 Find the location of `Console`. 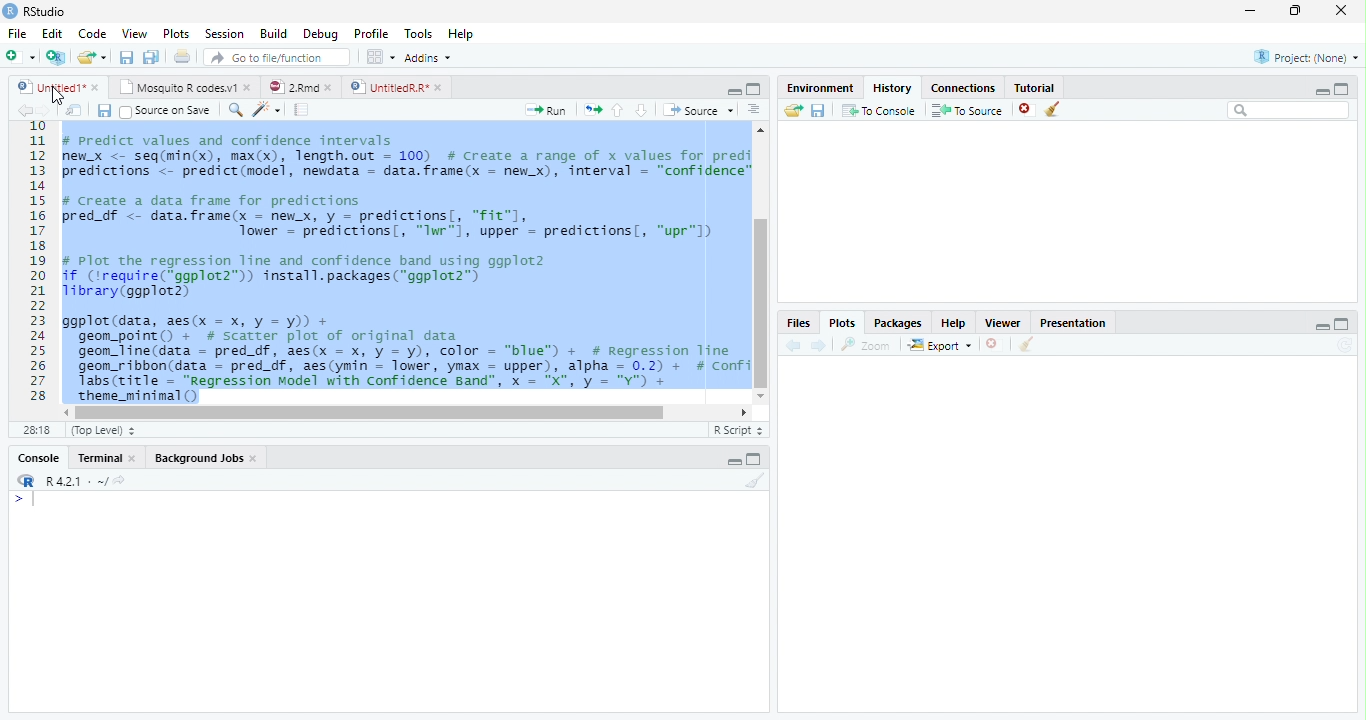

Console is located at coordinates (37, 455).